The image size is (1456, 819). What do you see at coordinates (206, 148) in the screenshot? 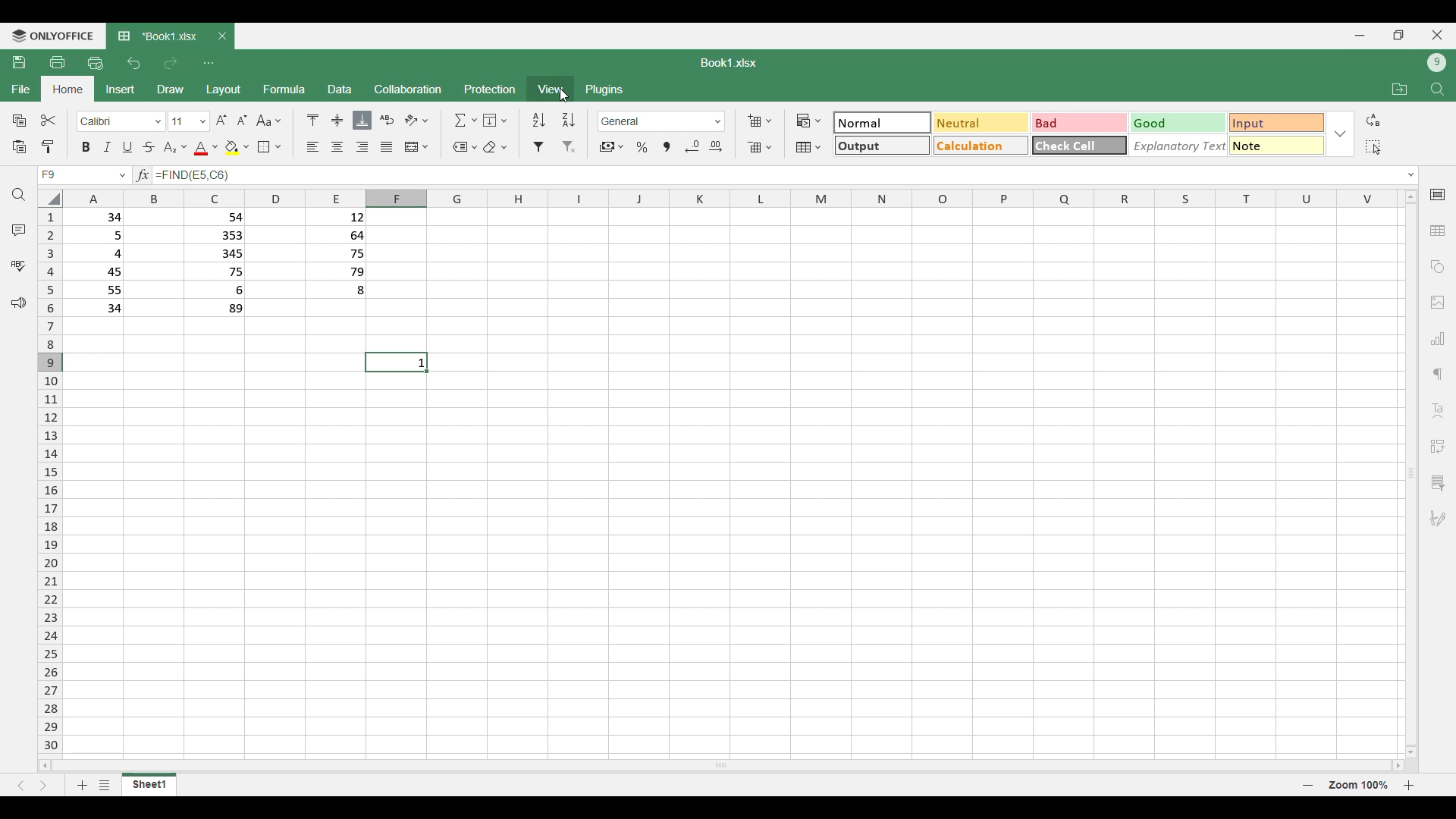
I see `Font color` at bounding box center [206, 148].